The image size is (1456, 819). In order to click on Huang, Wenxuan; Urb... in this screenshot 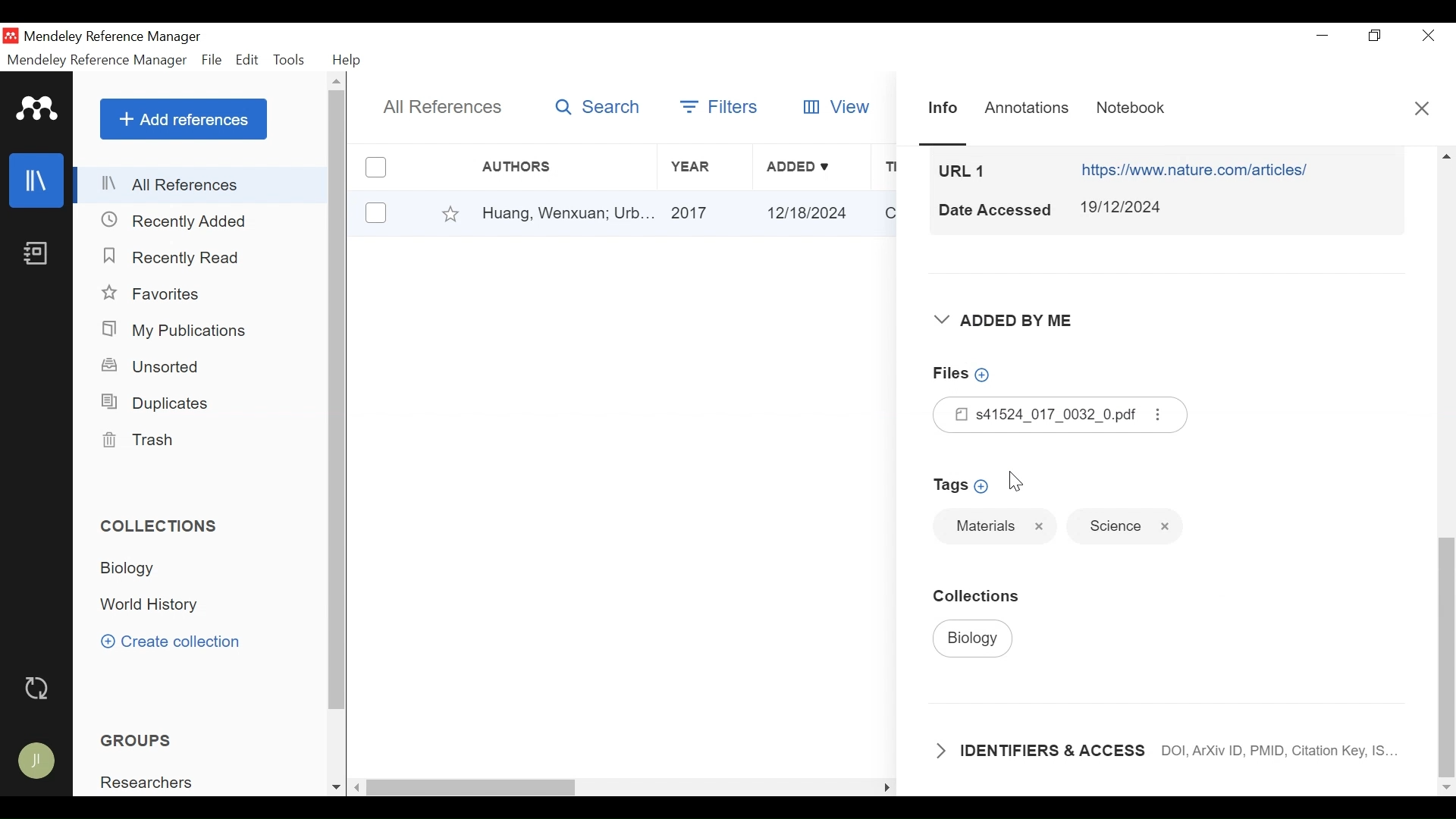, I will do `click(567, 214)`.